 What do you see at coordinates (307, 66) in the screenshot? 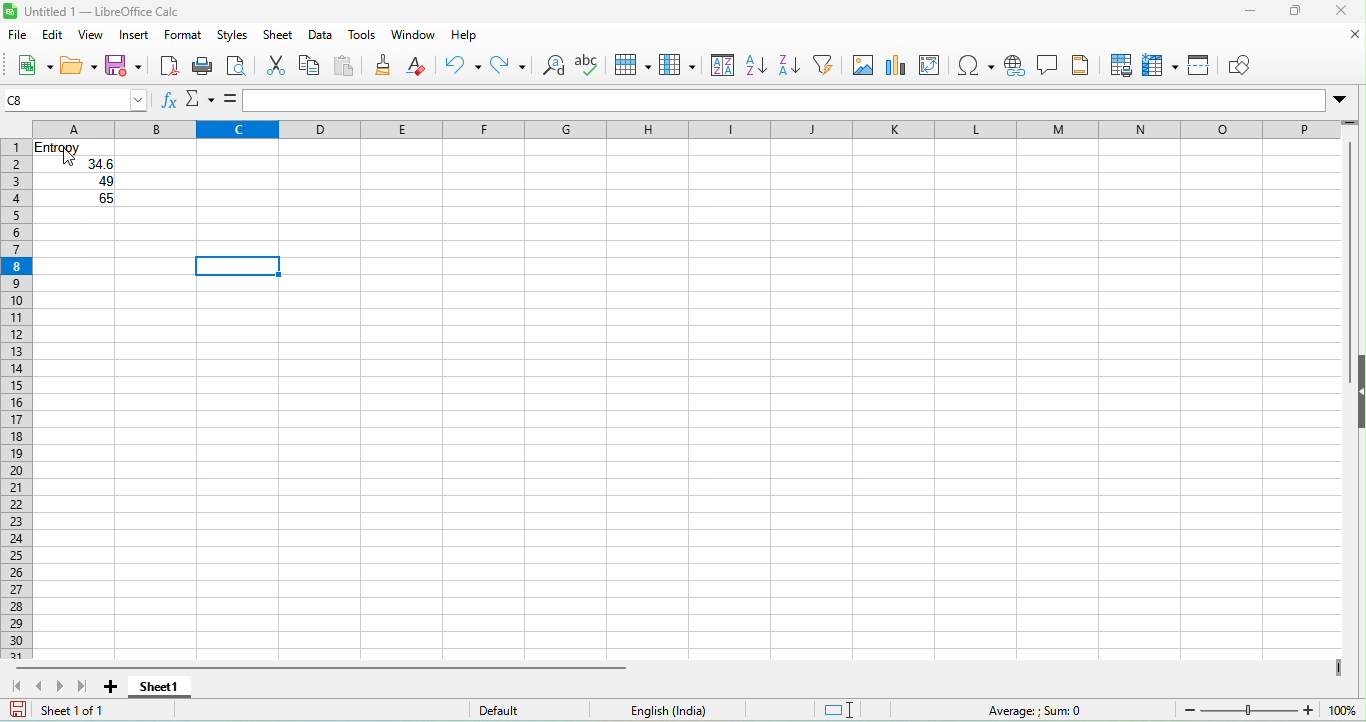
I see `copy` at bounding box center [307, 66].